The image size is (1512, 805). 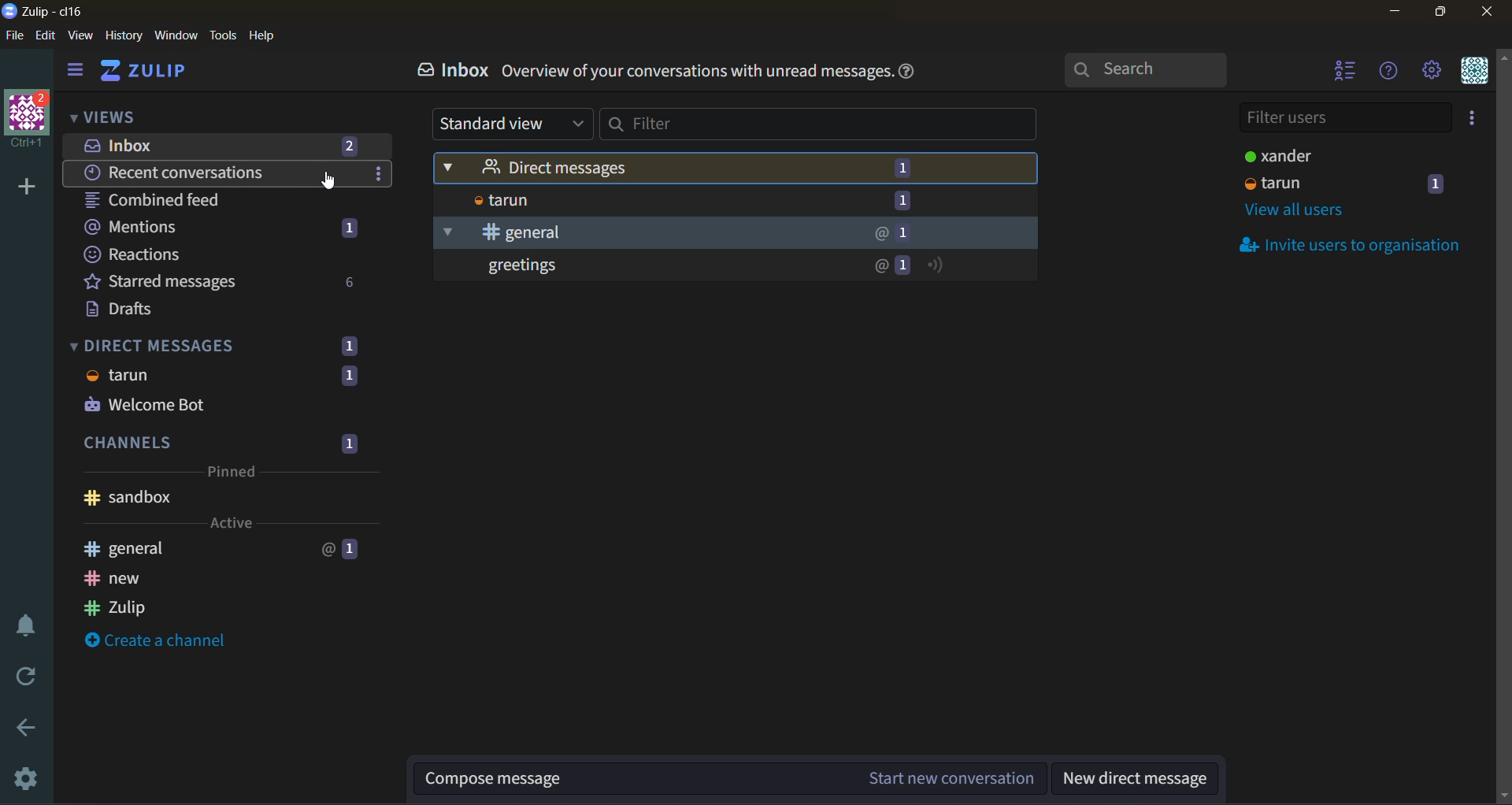 What do you see at coordinates (212, 607) in the screenshot?
I see `Zulip` at bounding box center [212, 607].